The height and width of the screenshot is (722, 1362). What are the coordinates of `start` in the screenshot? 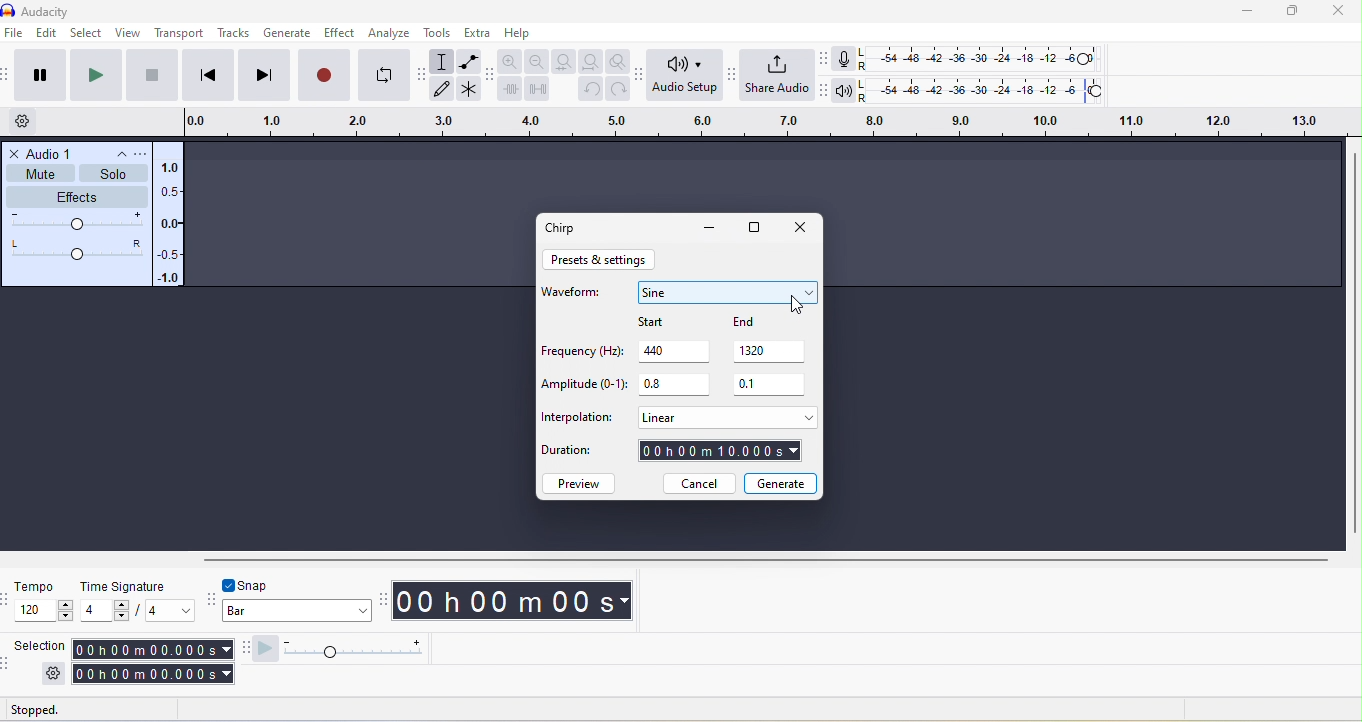 It's located at (670, 320).